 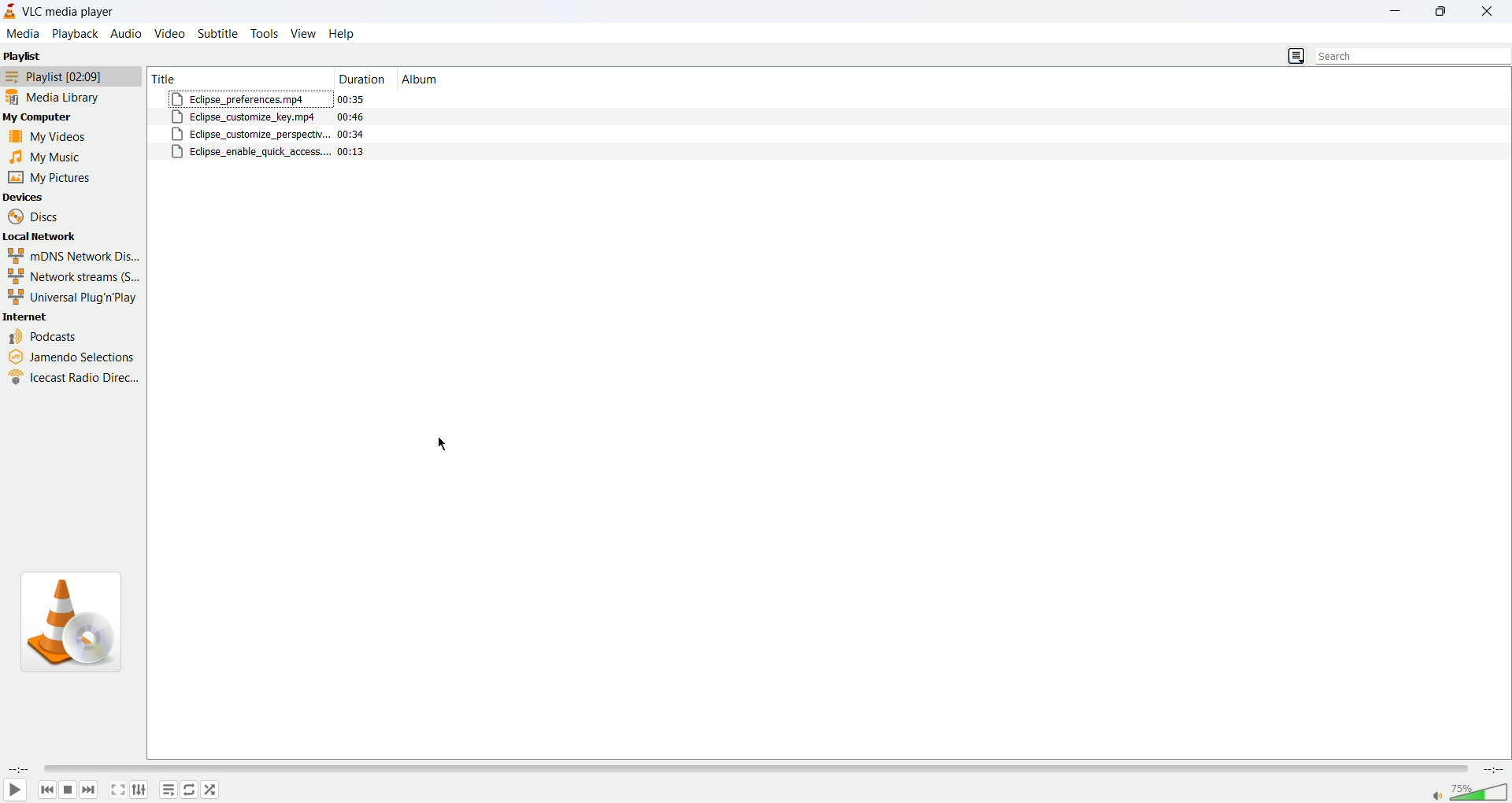 I want to click on playback, so click(x=76, y=35).